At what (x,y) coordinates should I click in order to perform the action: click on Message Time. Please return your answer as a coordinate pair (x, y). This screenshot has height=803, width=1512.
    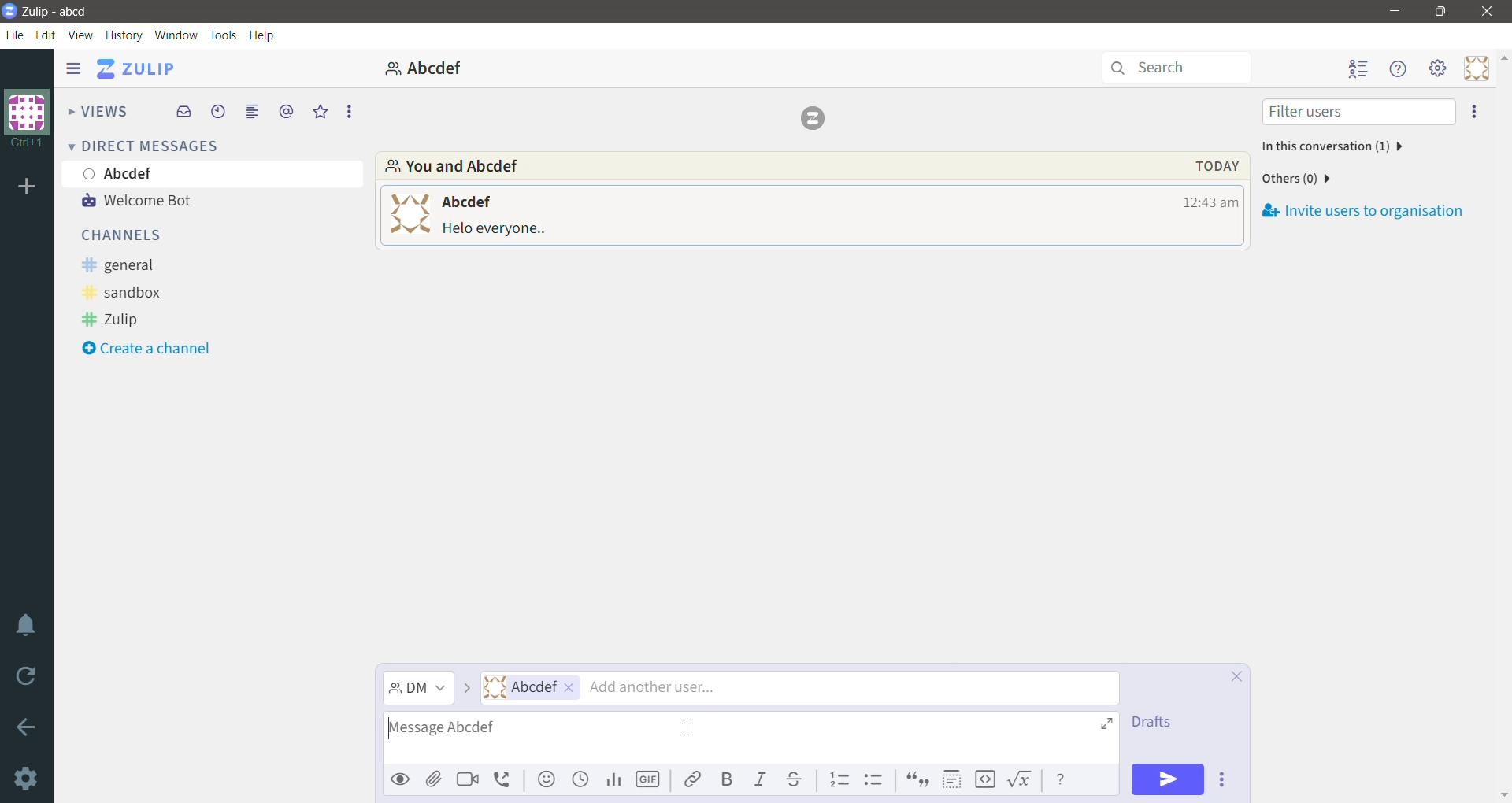
    Looking at the image, I should click on (1210, 202).